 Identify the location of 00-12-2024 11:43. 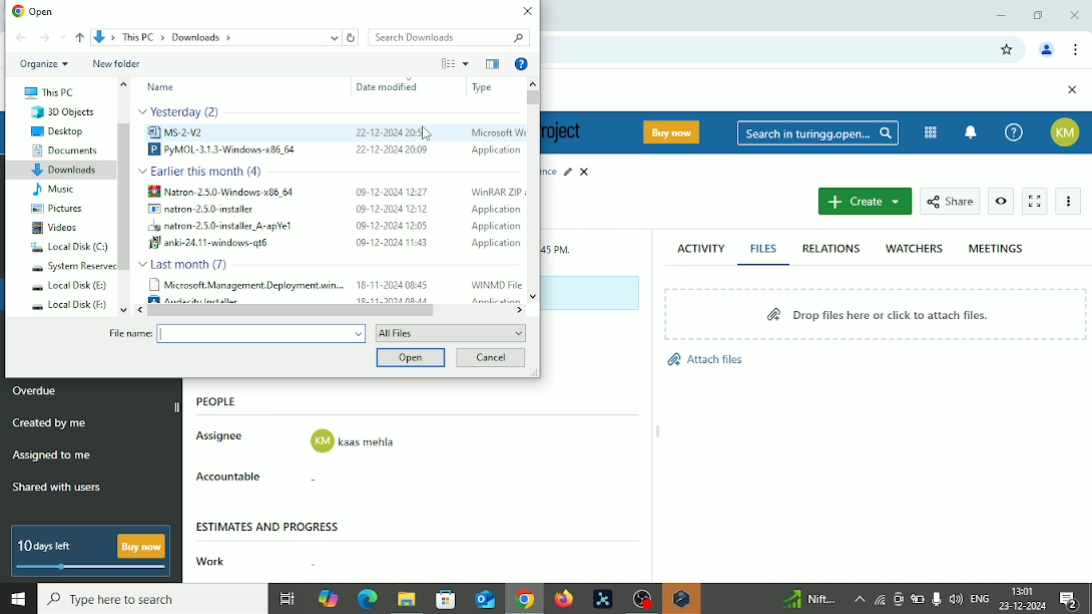
(392, 243).